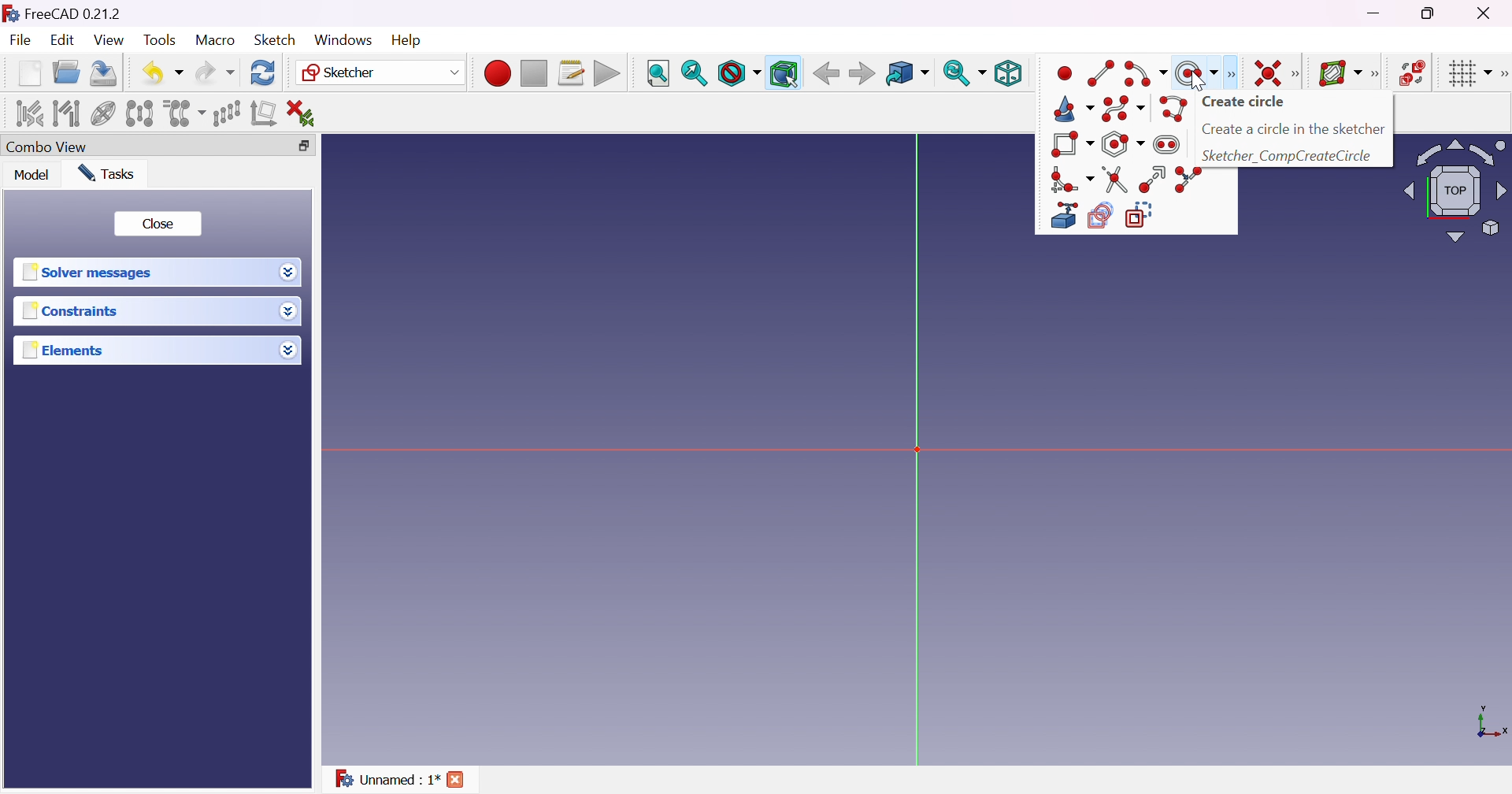  Describe the element at coordinates (1269, 75) in the screenshot. I see `Constrain conincident` at that location.